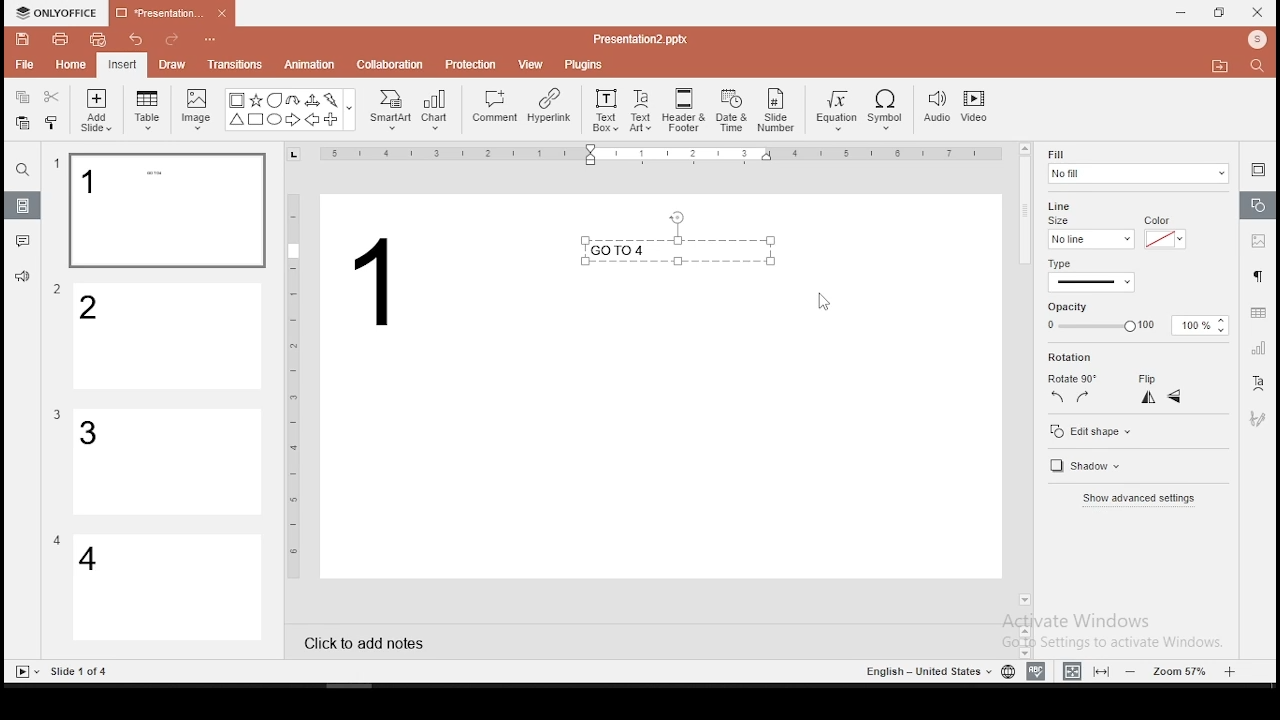  What do you see at coordinates (1253, 418) in the screenshot?
I see `` at bounding box center [1253, 418].